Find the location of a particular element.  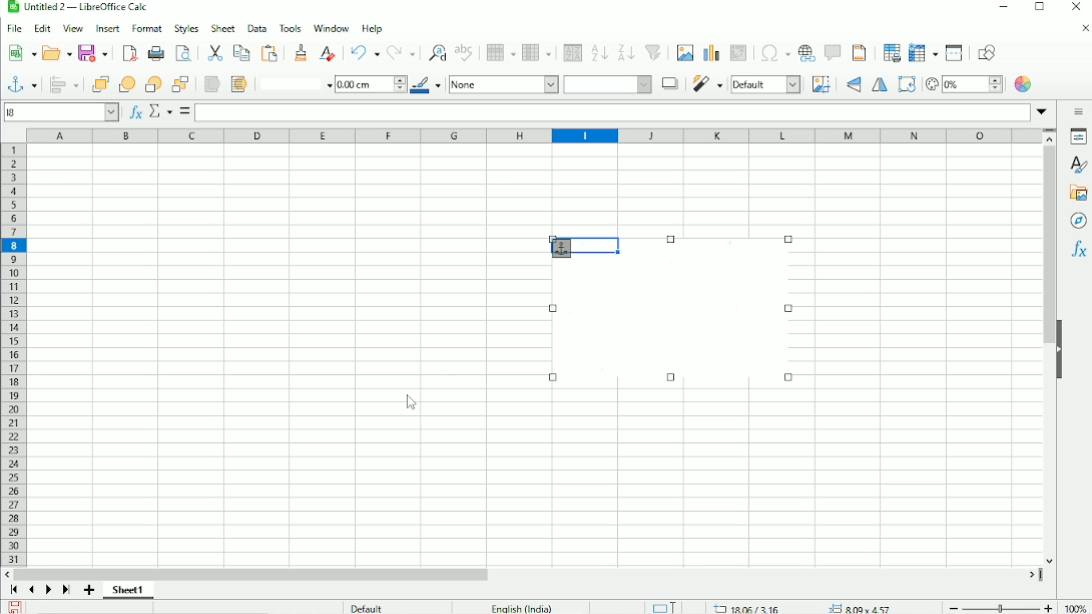

Gallery is located at coordinates (1078, 193).